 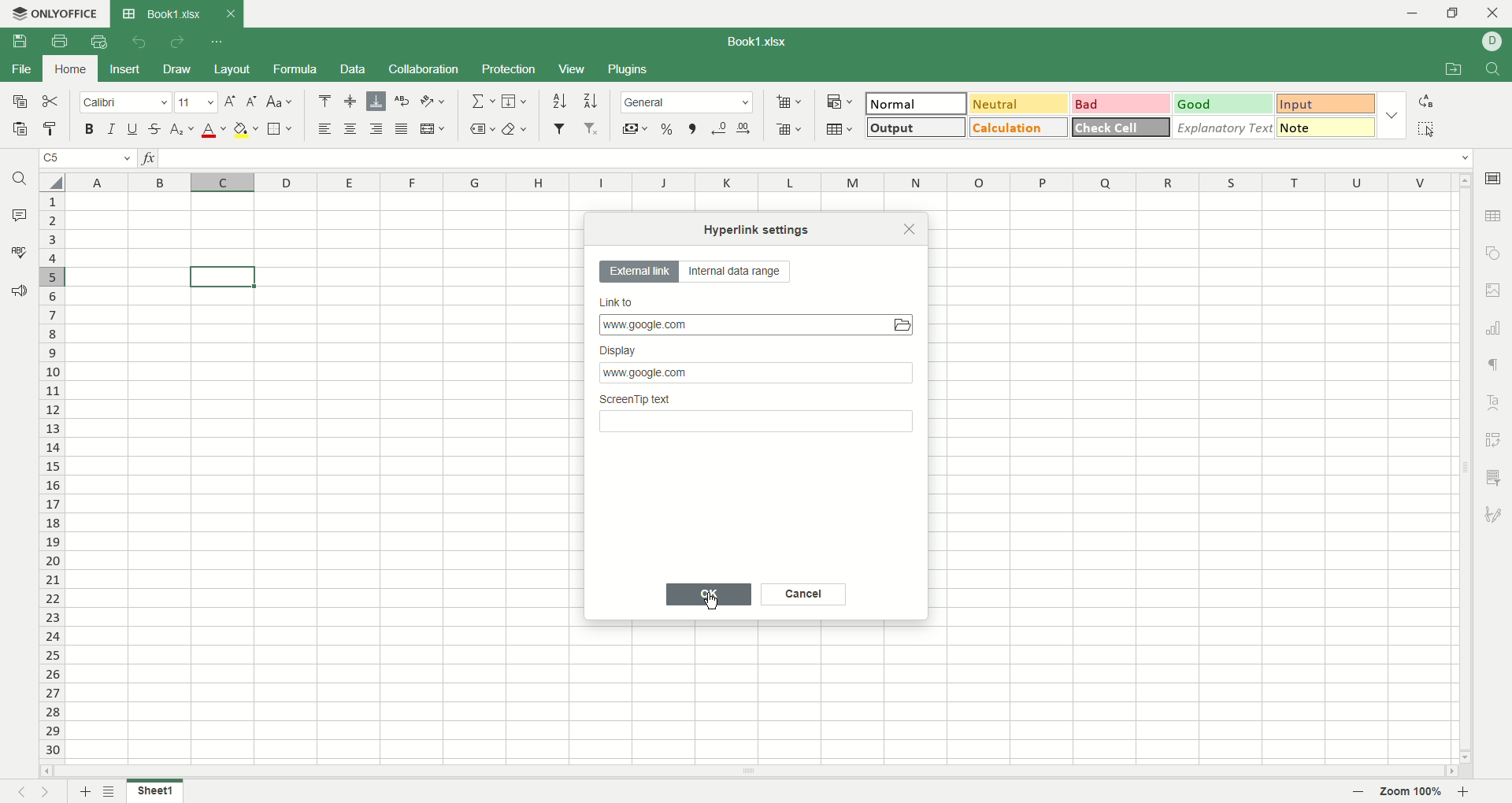 What do you see at coordinates (1461, 471) in the screenshot?
I see `vertical scroll bar` at bounding box center [1461, 471].